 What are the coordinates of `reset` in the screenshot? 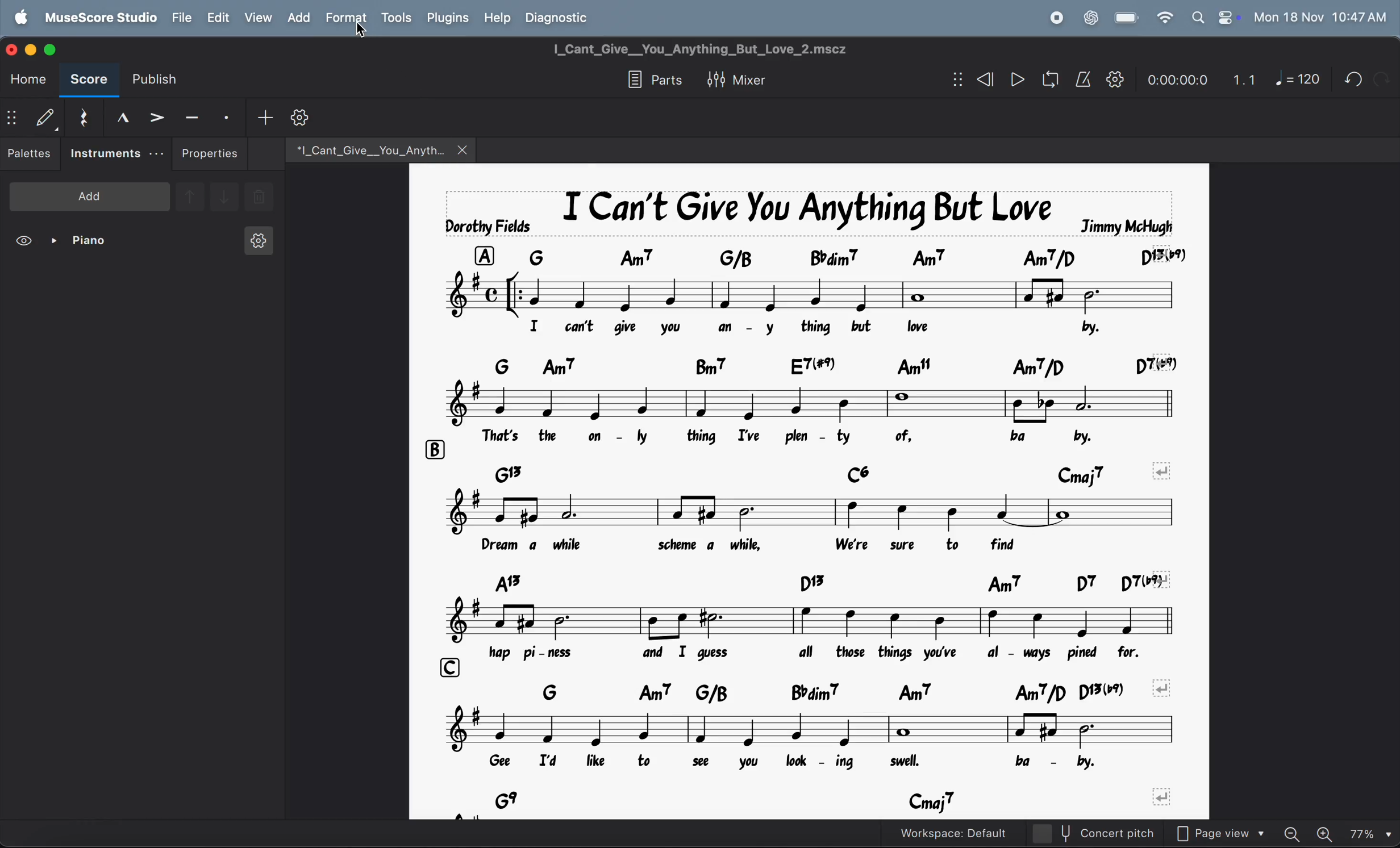 It's located at (82, 115).